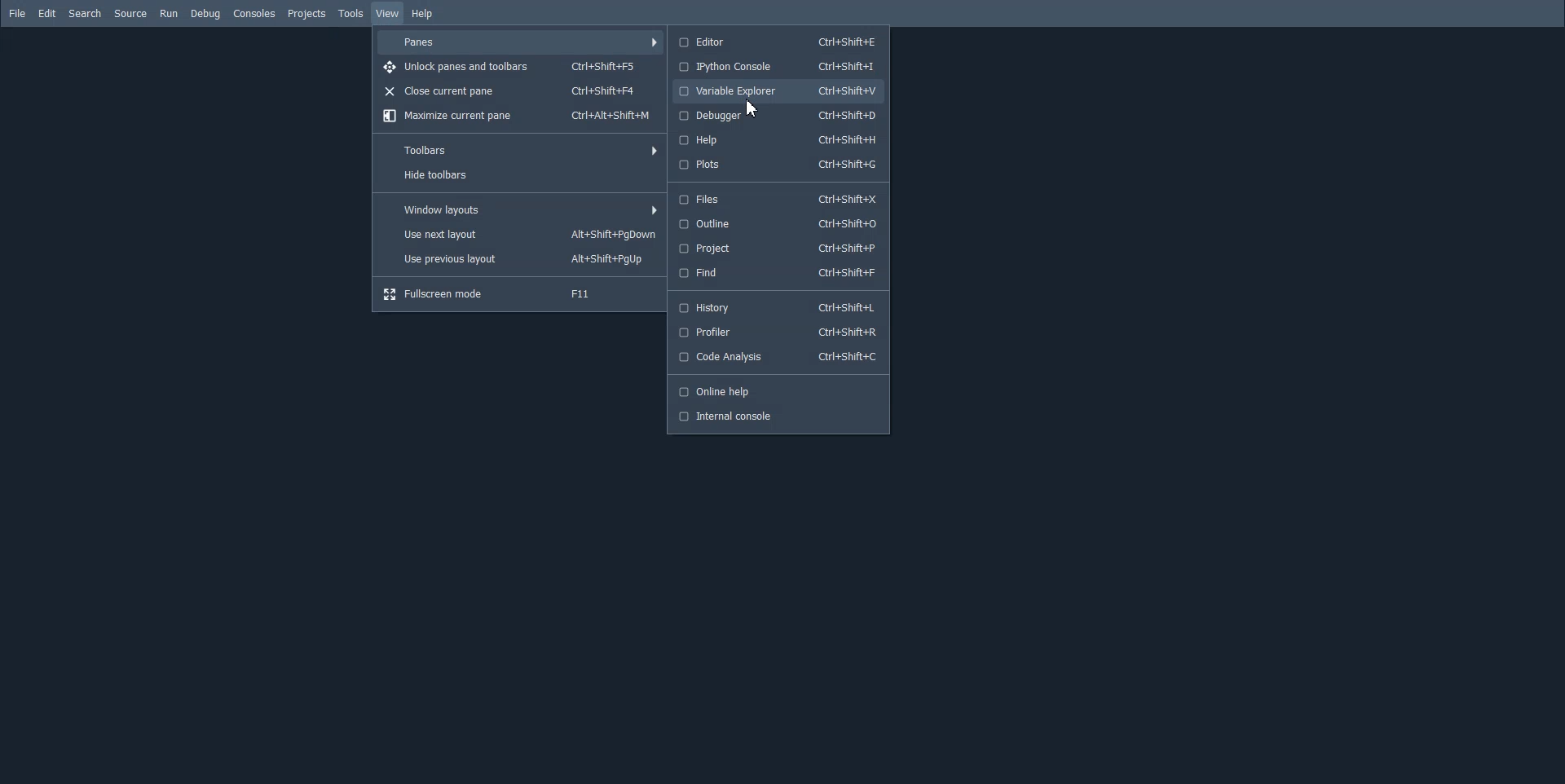 The image size is (1565, 784). Describe the element at coordinates (170, 14) in the screenshot. I see `Run` at that location.